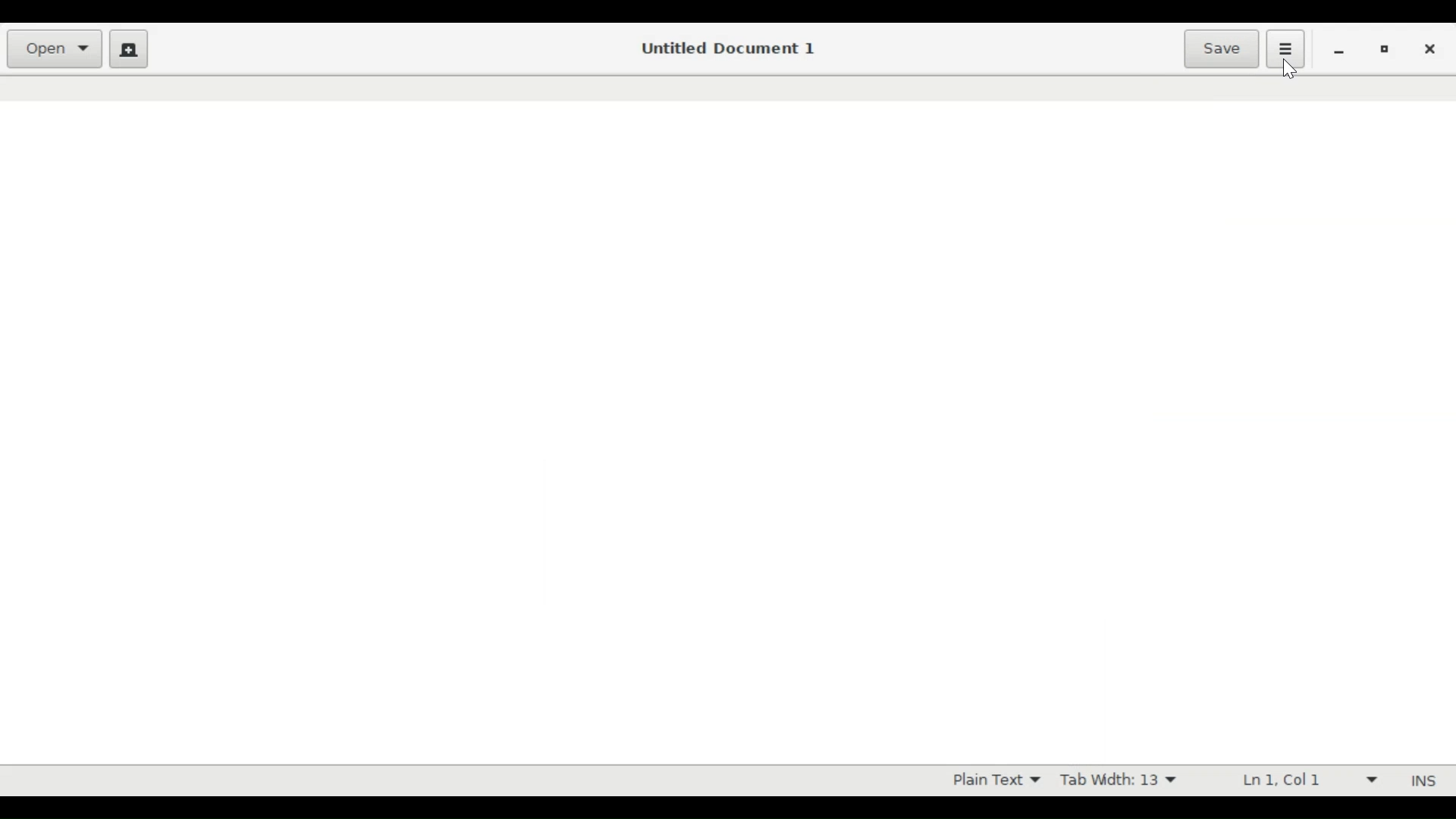 The height and width of the screenshot is (819, 1456). Describe the element at coordinates (1339, 49) in the screenshot. I see `minimize` at that location.